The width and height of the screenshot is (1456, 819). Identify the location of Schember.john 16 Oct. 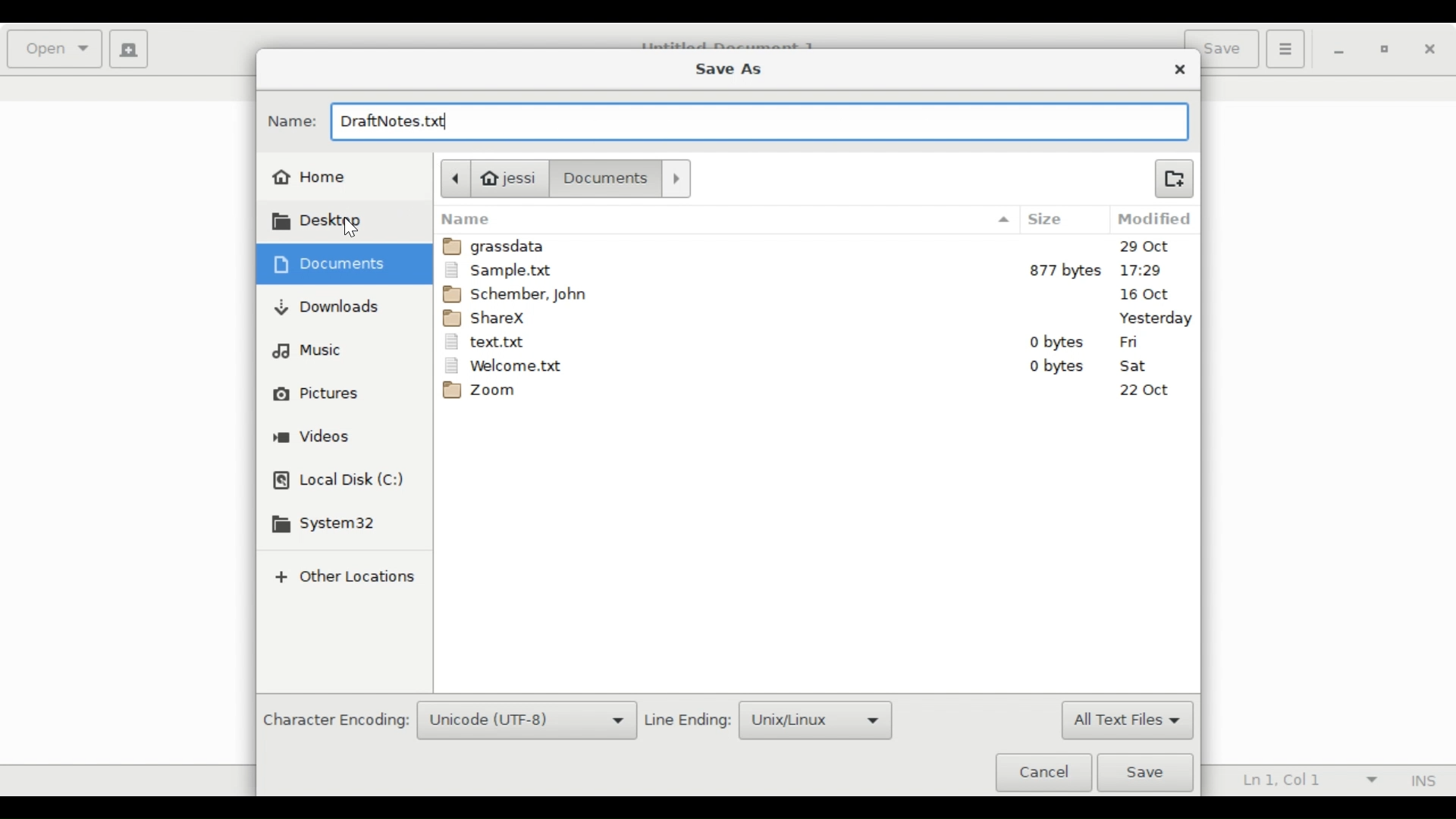
(818, 293).